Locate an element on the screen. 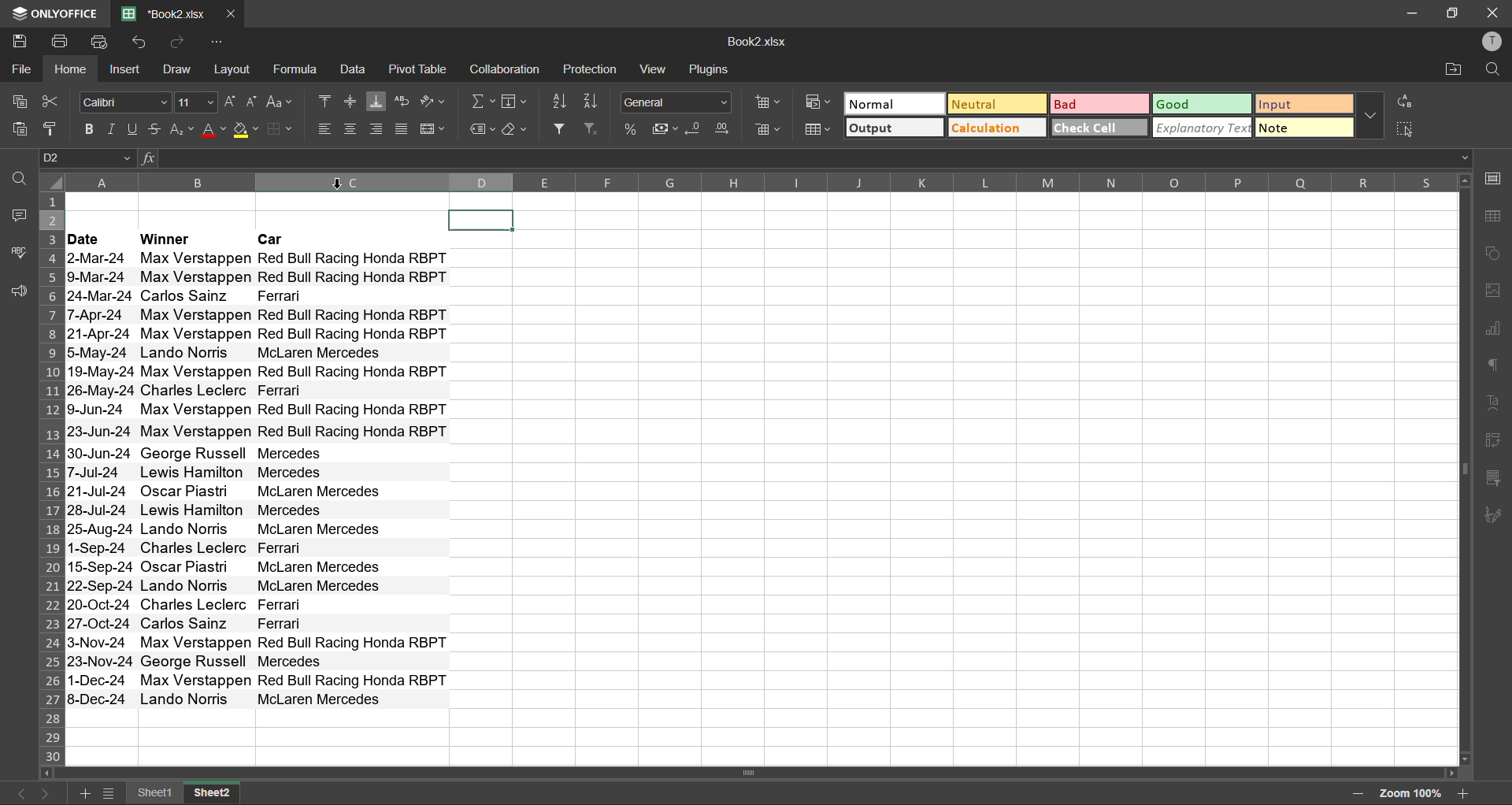 This screenshot has width=1512, height=805. justified is located at coordinates (403, 129).